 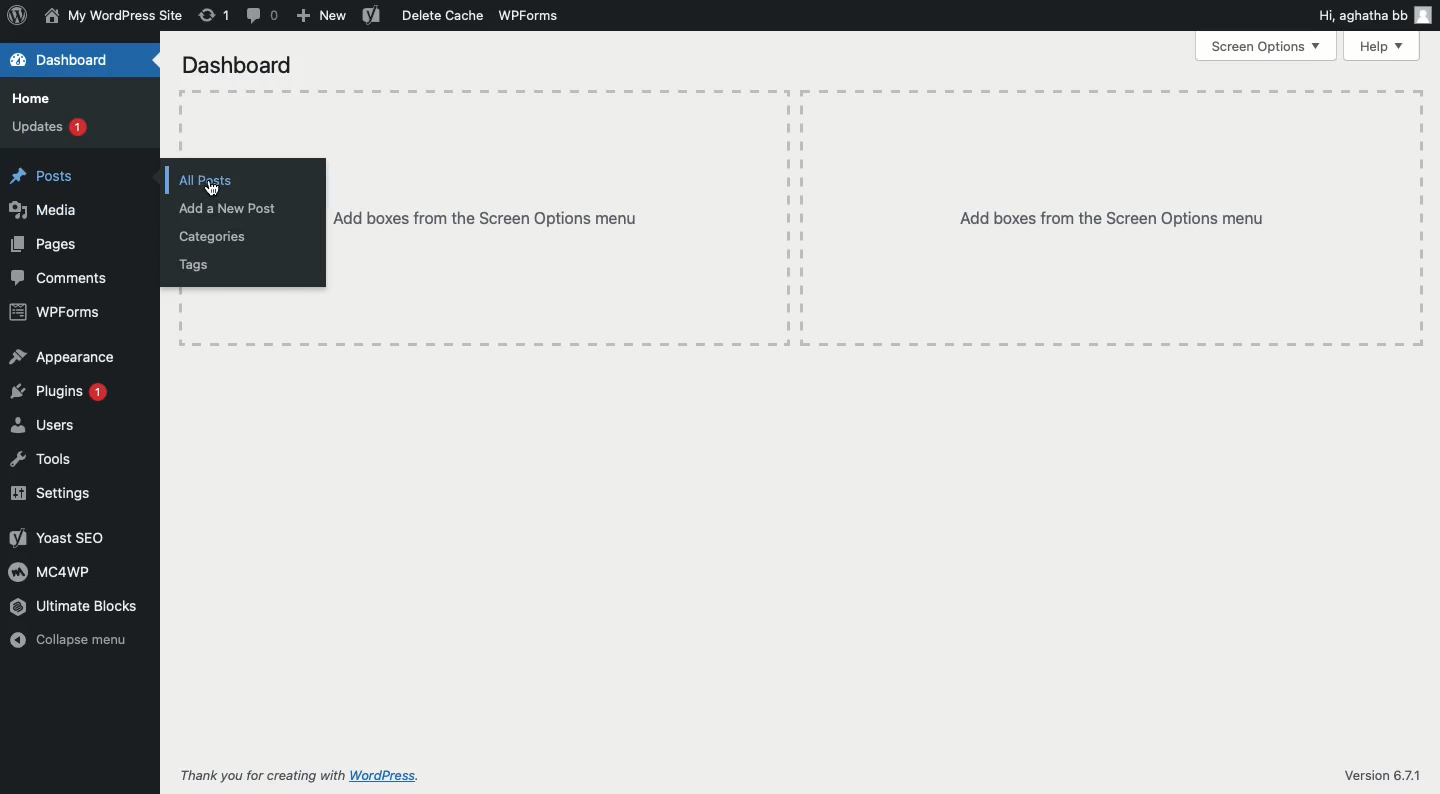 I want to click on cursor, so click(x=215, y=188).